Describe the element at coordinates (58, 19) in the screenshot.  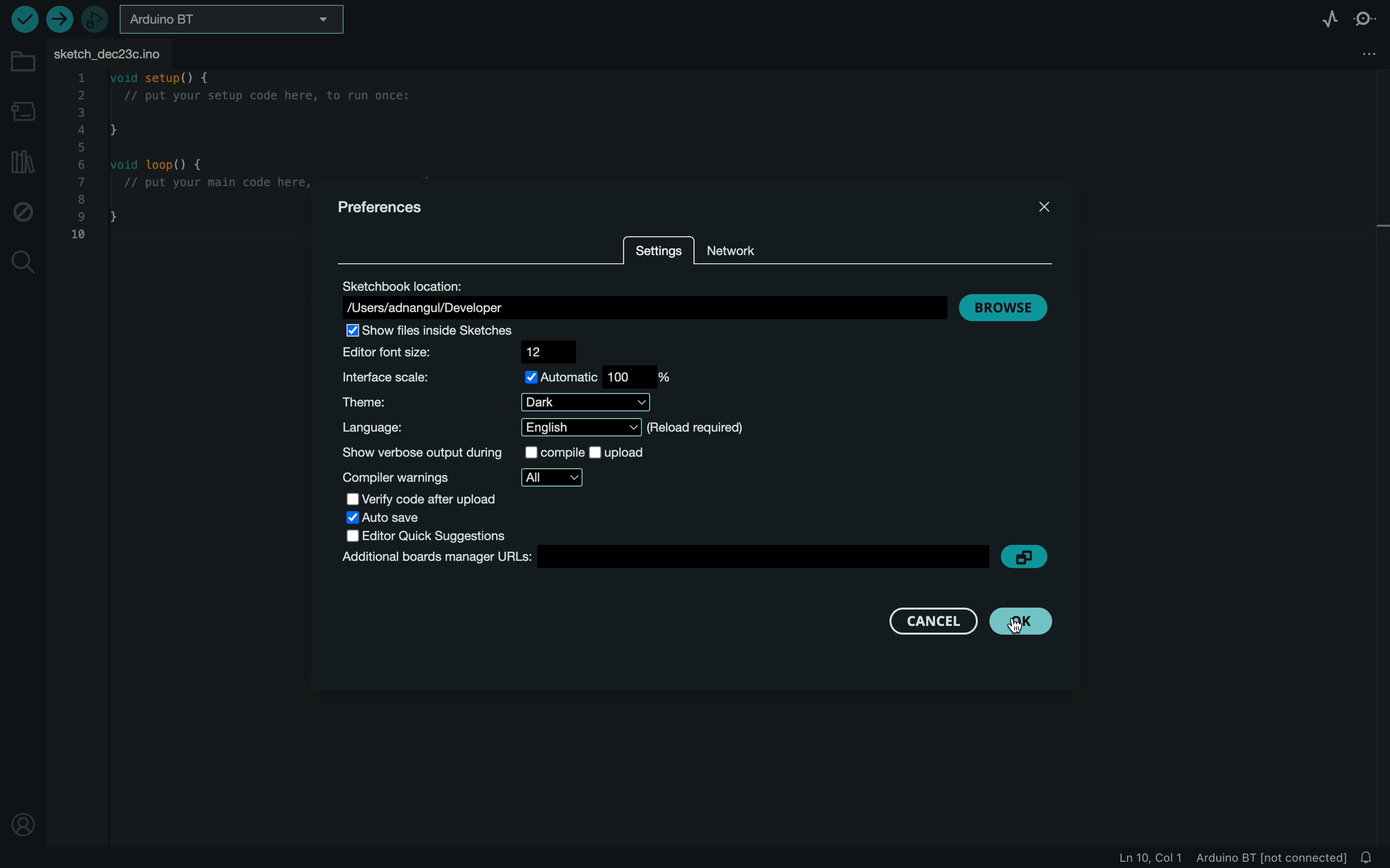
I see `upload` at that location.